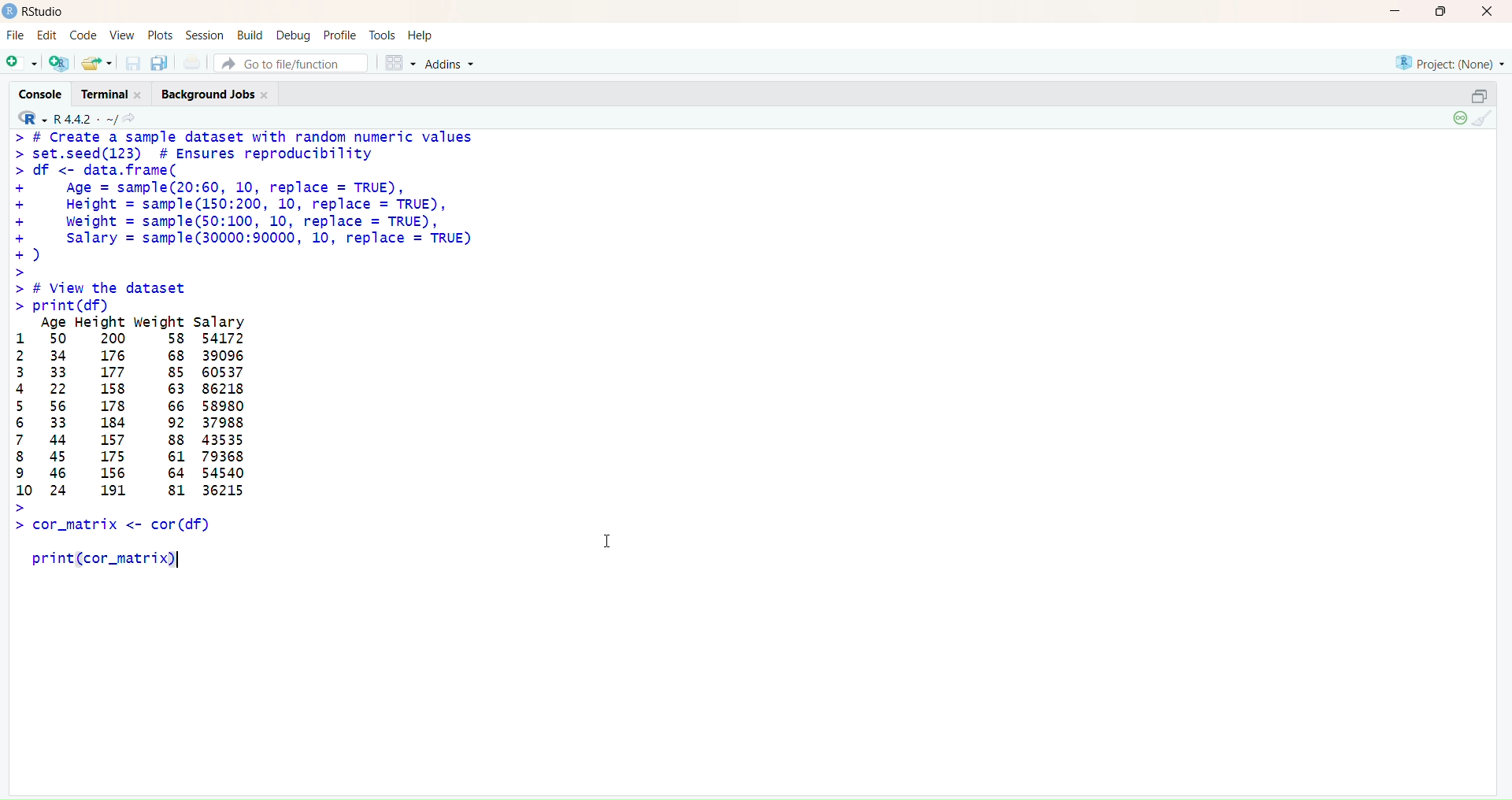 Image resolution: width=1512 pixels, height=800 pixels. Describe the element at coordinates (87, 117) in the screenshot. I see `R442/ ~/` at that location.